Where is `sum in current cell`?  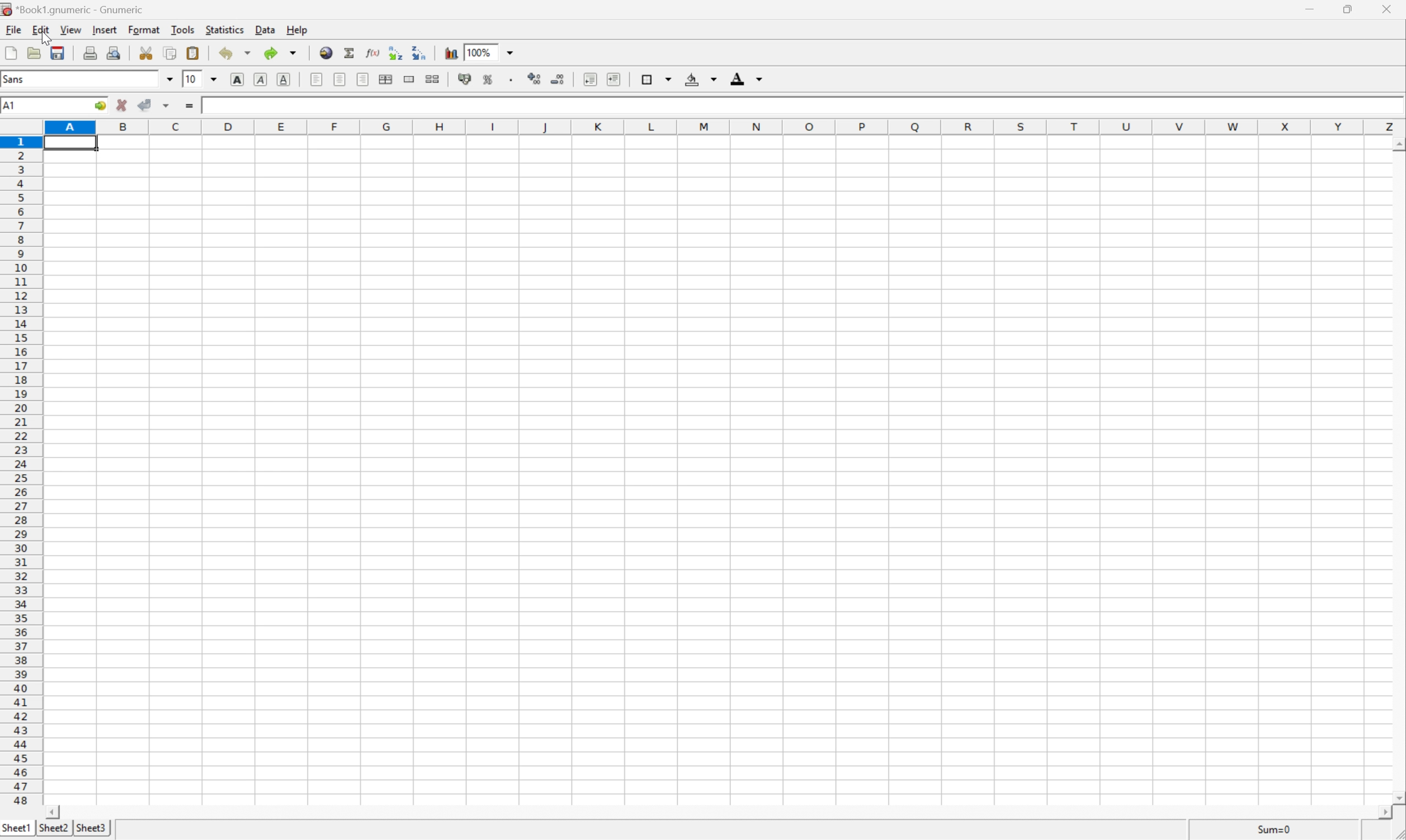 sum in current cell is located at coordinates (350, 53).